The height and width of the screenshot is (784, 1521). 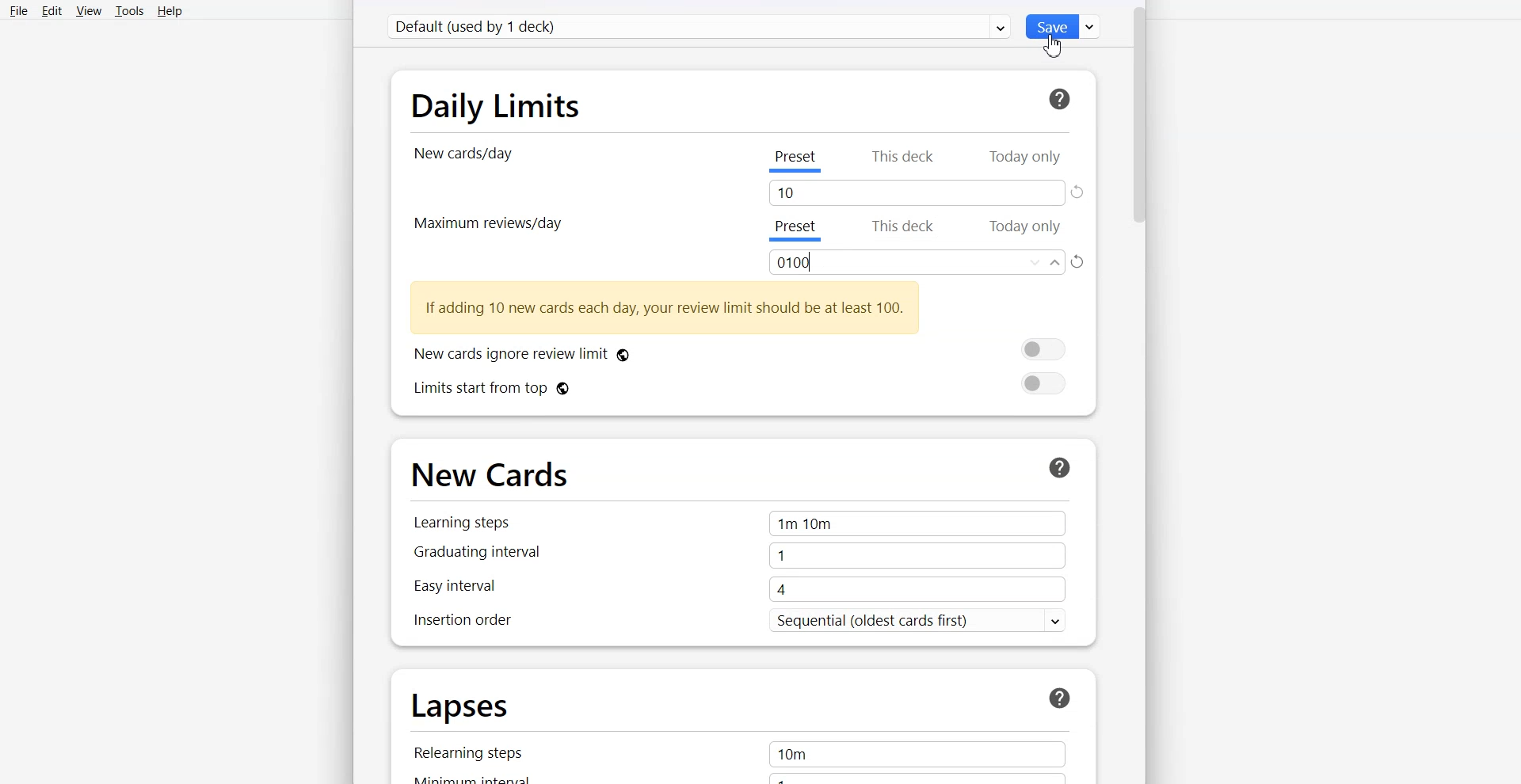 What do you see at coordinates (700, 27) in the screenshot?
I see `Default` at bounding box center [700, 27].